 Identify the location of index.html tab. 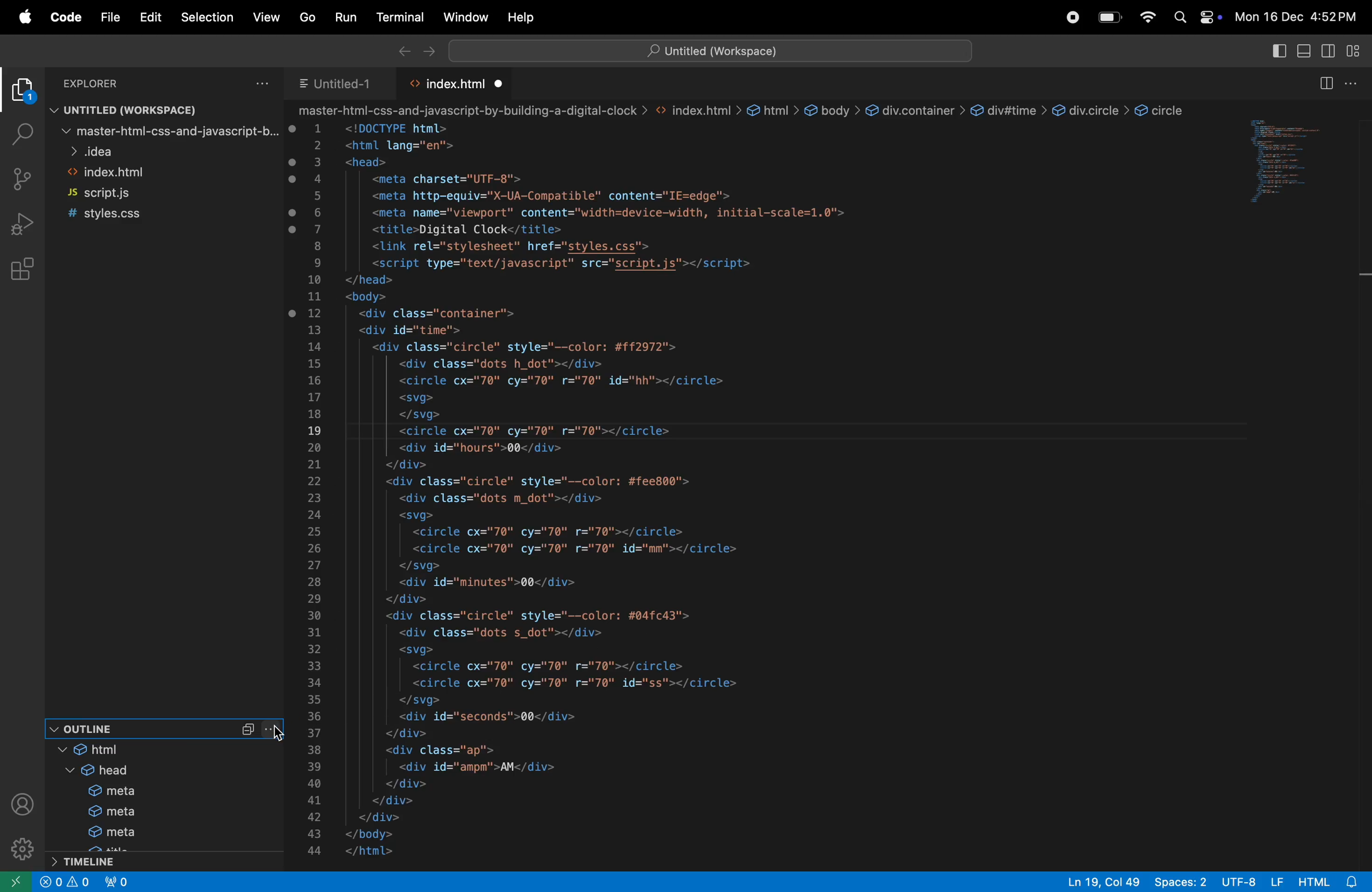
(452, 84).